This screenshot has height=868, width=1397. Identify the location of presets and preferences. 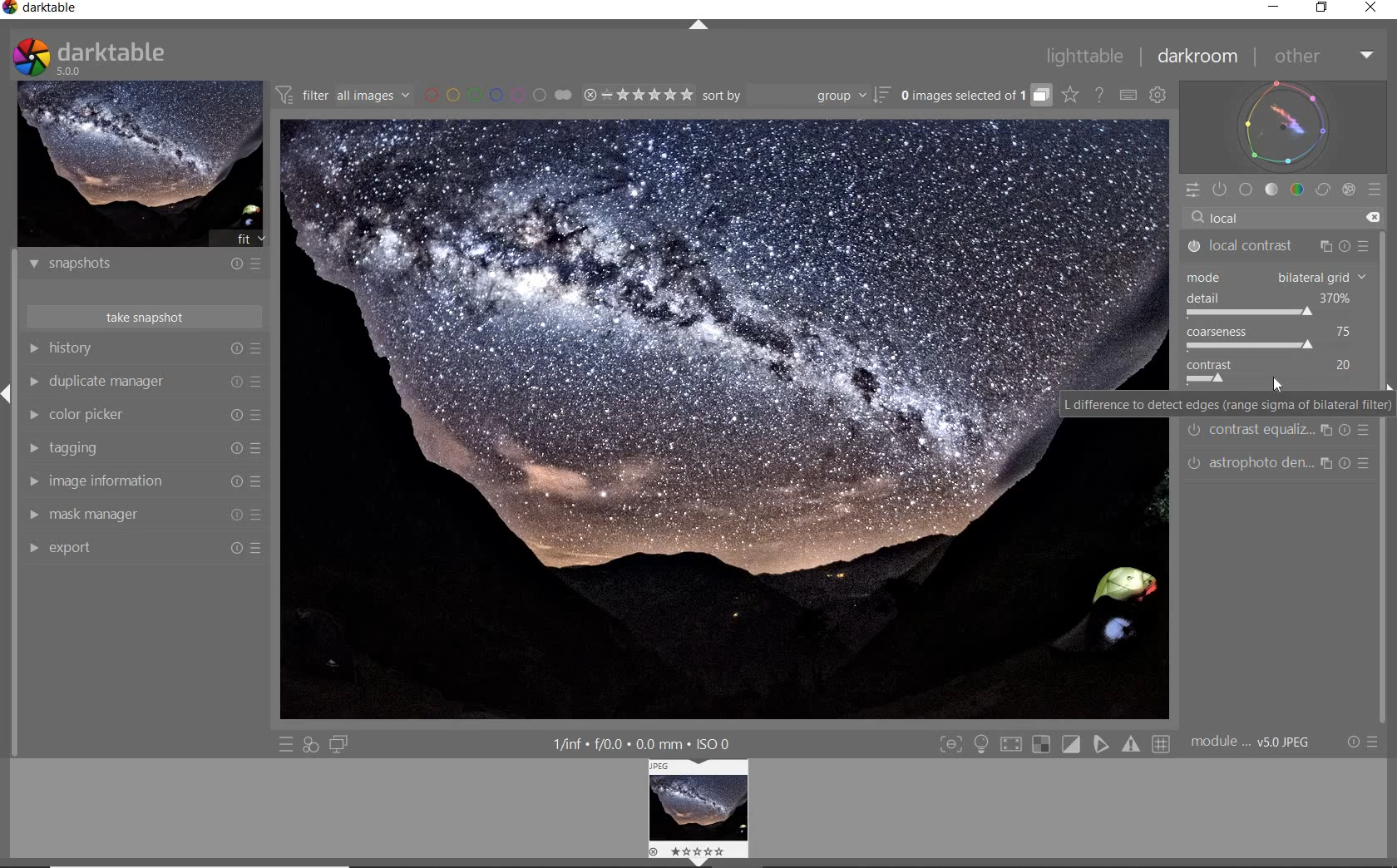
(257, 348).